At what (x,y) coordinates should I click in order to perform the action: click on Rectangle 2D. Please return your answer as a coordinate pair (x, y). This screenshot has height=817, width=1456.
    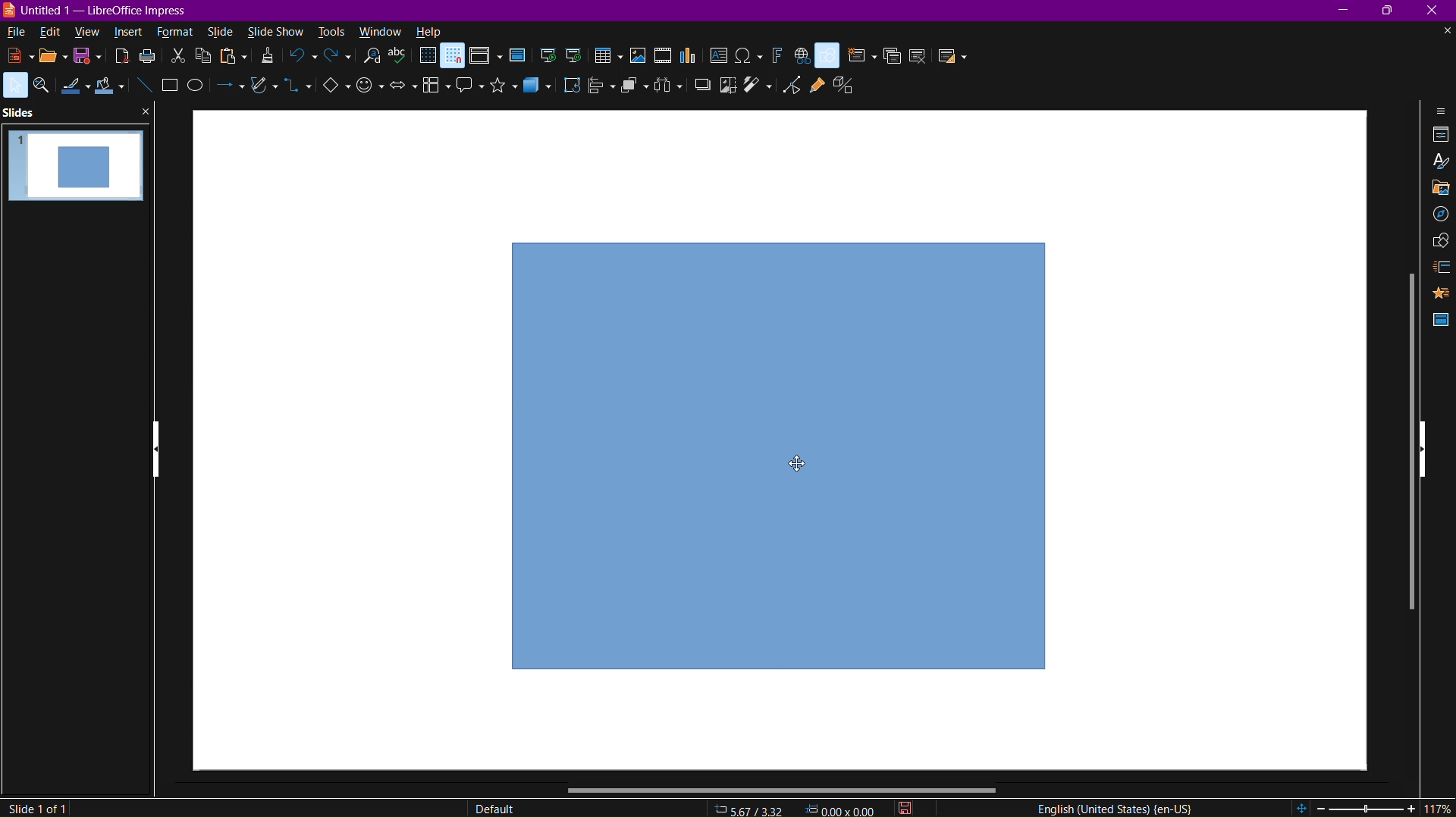
    Looking at the image, I should click on (780, 455).